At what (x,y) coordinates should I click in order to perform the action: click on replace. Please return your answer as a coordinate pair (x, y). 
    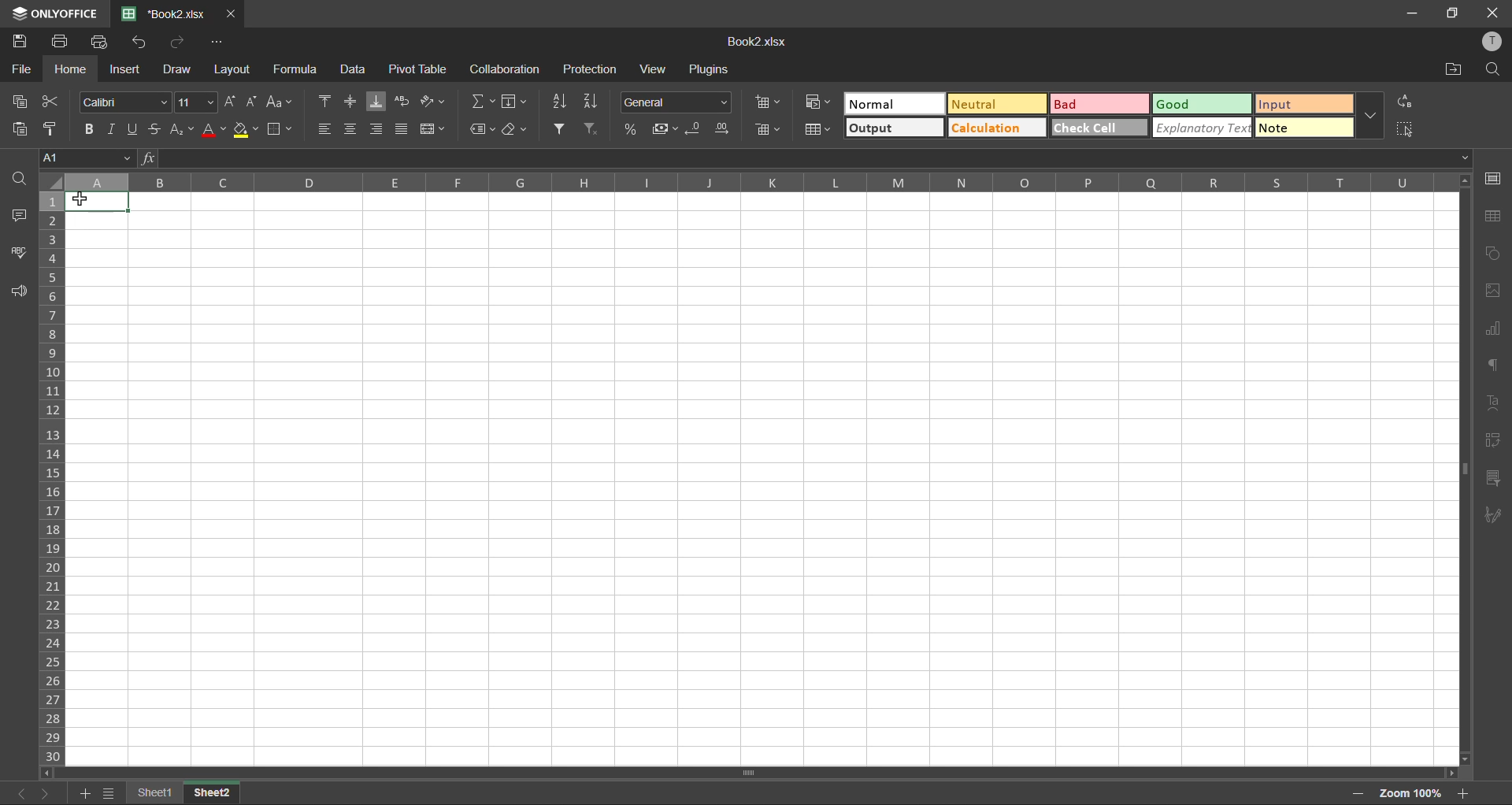
    Looking at the image, I should click on (1405, 103).